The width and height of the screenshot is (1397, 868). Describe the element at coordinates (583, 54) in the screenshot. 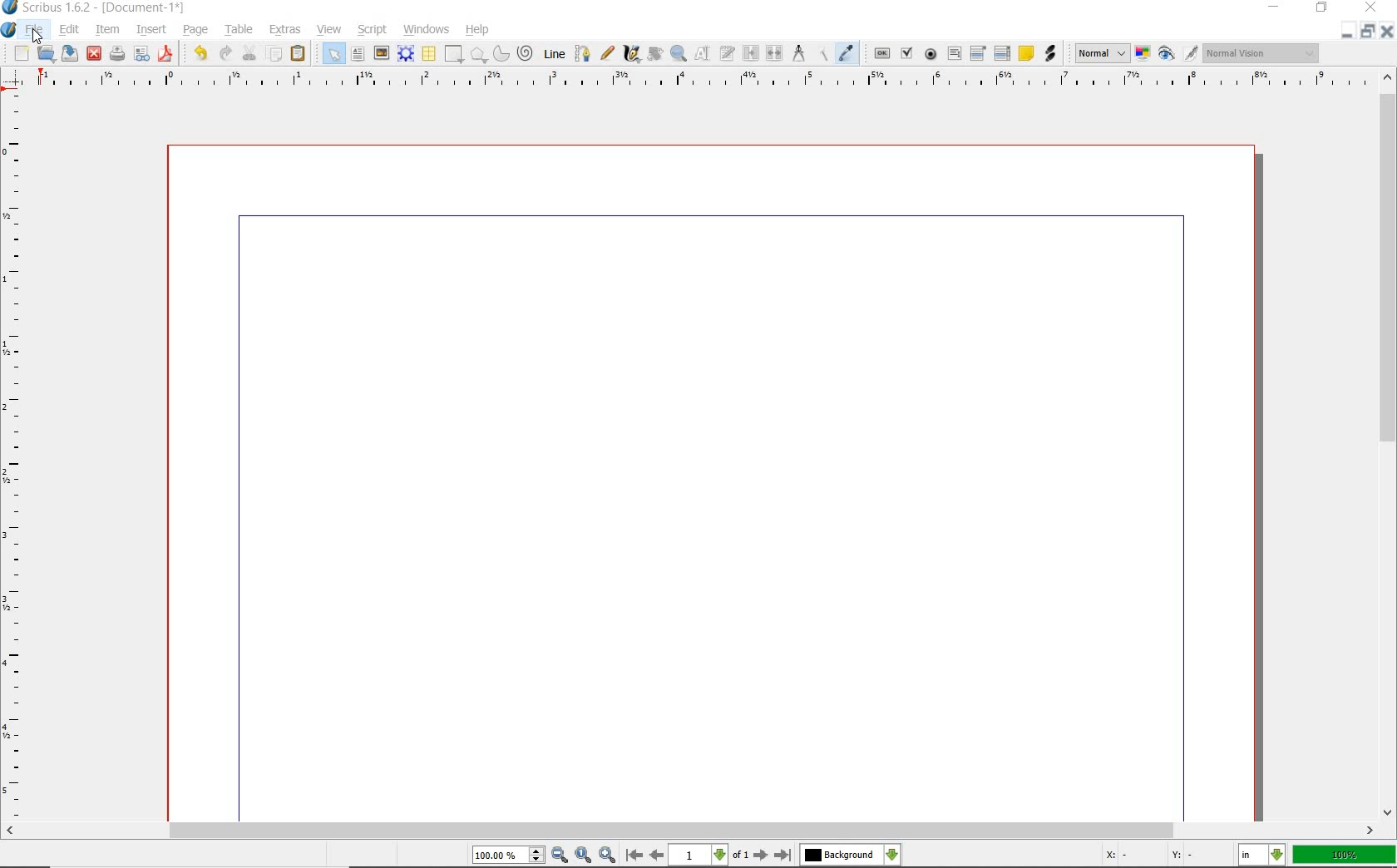

I see `Bezier curve` at that location.